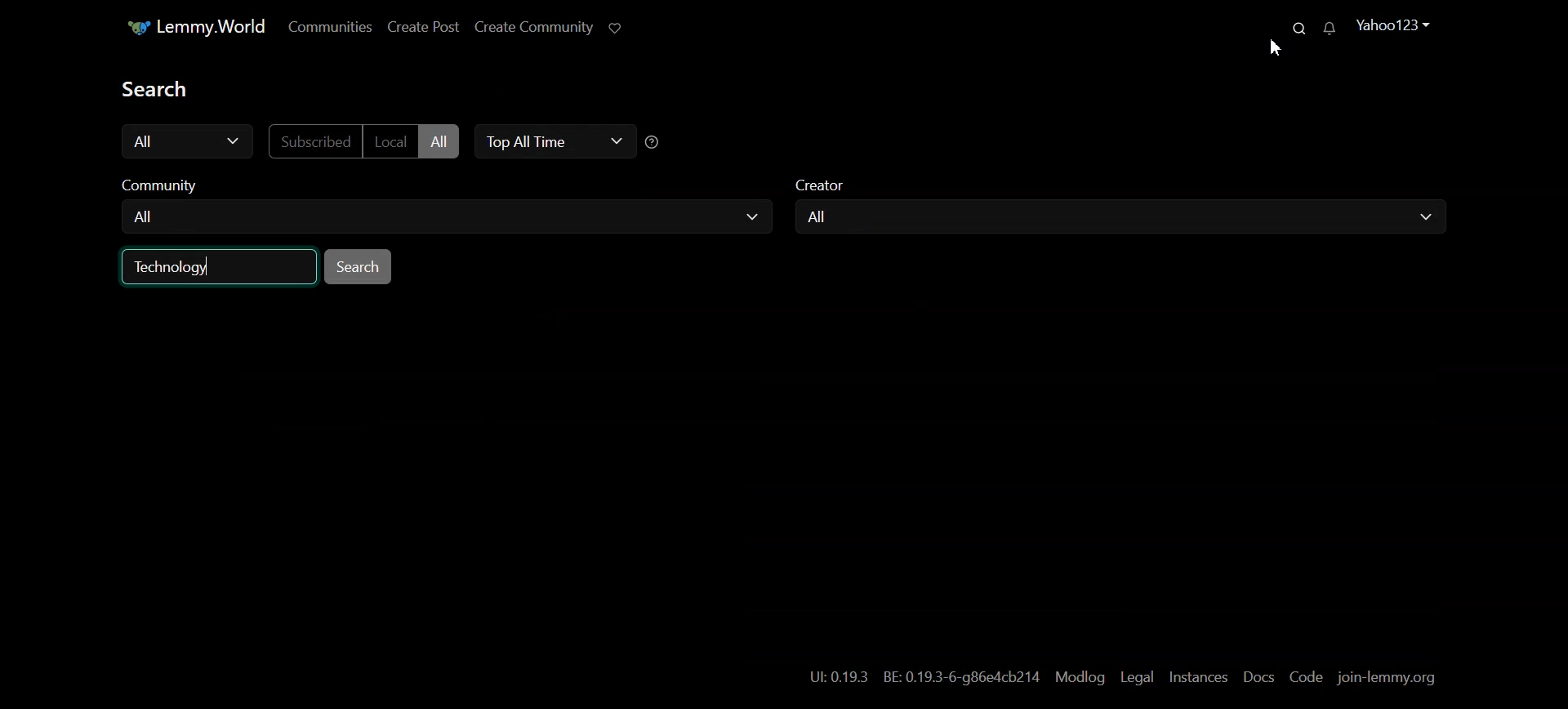 The height and width of the screenshot is (709, 1568). I want to click on sorting Time, so click(655, 143).